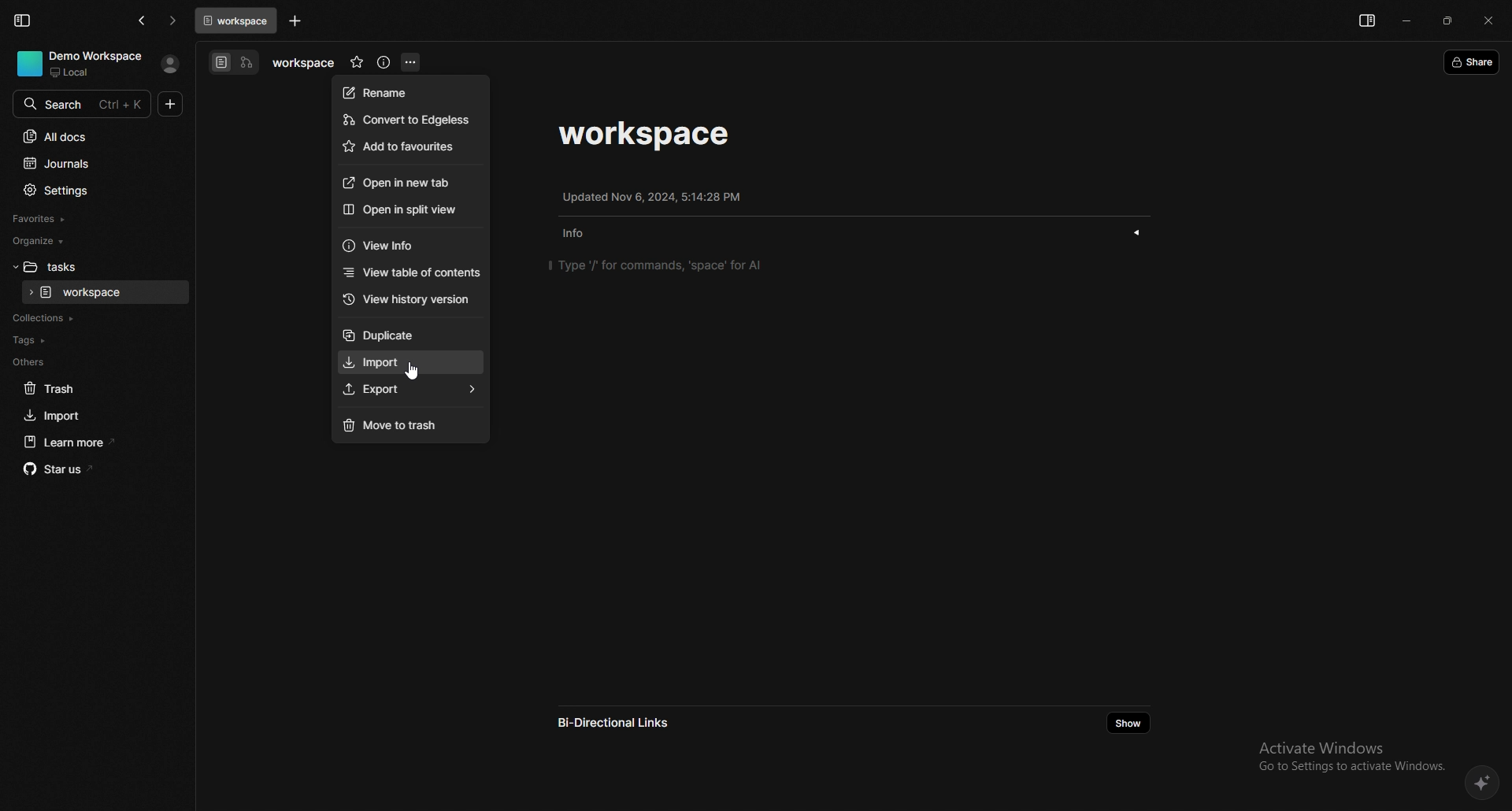  What do you see at coordinates (1489, 21) in the screenshot?
I see `close` at bounding box center [1489, 21].